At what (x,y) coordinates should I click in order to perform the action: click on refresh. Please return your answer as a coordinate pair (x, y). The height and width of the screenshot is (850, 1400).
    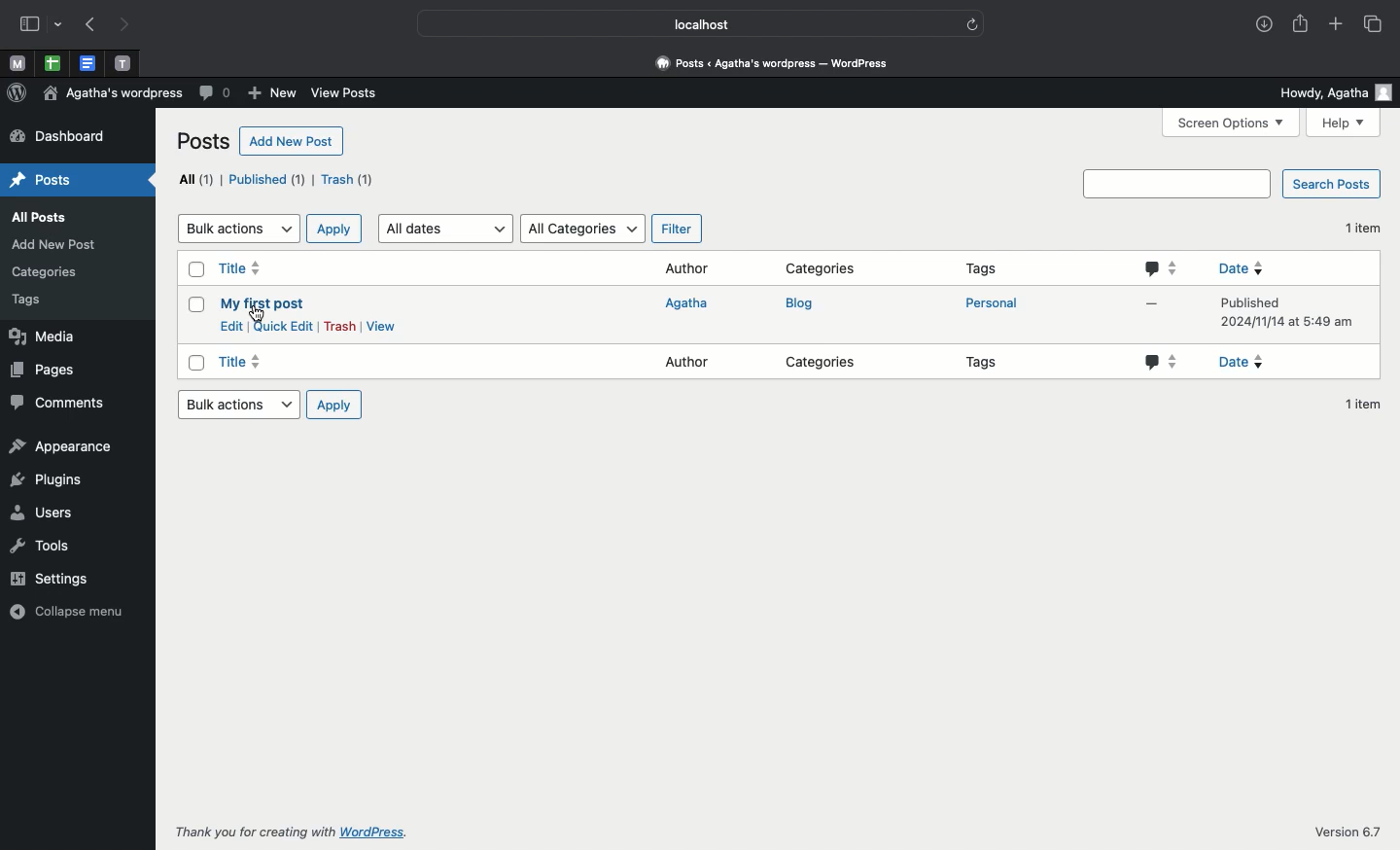
    Looking at the image, I should click on (975, 21).